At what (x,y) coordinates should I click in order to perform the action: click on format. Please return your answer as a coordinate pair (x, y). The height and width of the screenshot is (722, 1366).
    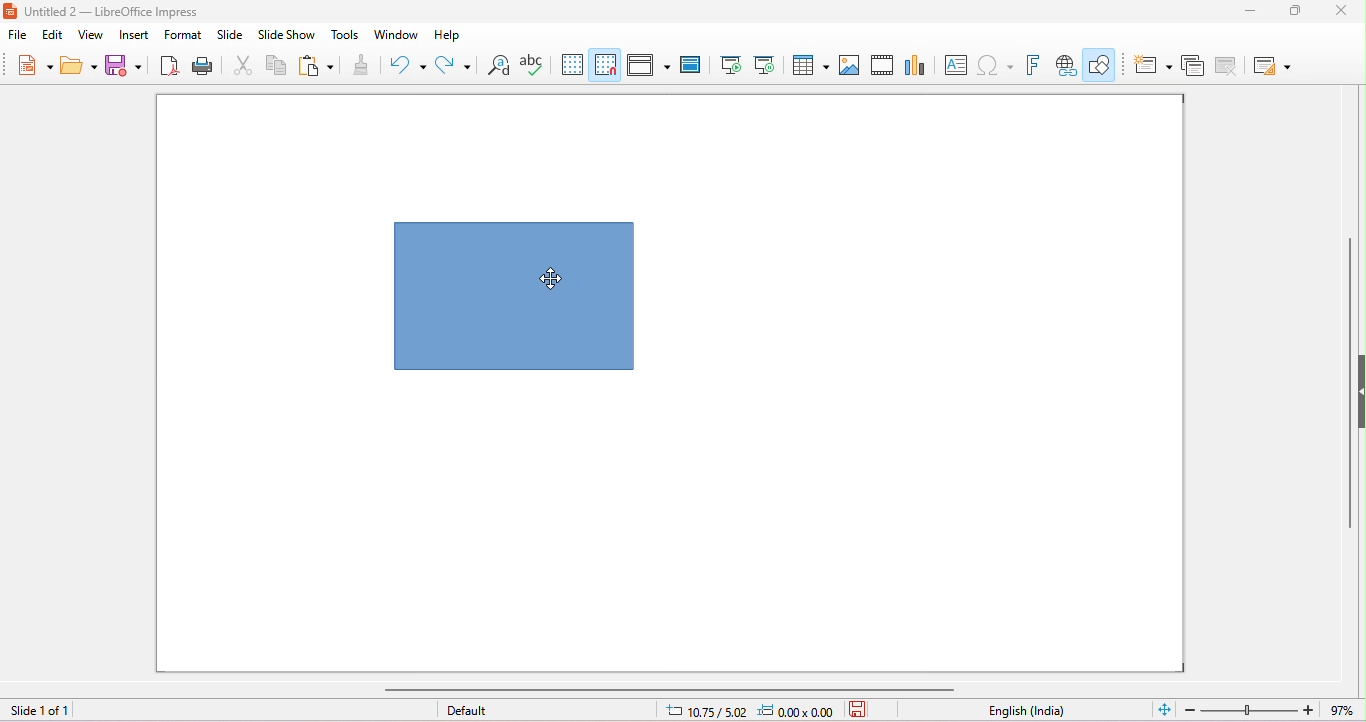
    Looking at the image, I should click on (183, 35).